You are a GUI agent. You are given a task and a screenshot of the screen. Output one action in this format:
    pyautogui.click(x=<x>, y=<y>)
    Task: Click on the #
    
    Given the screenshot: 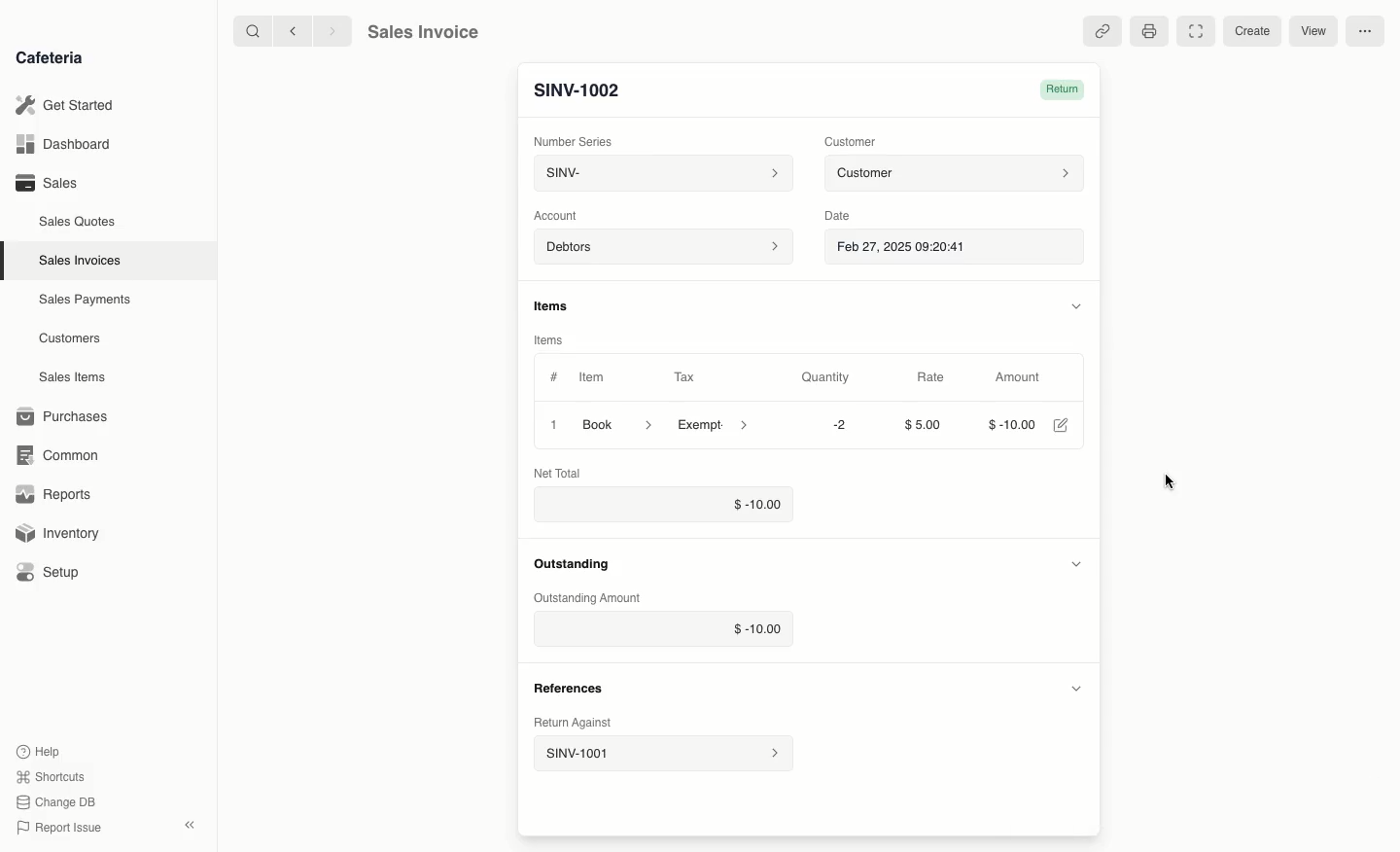 What is the action you would take?
    pyautogui.click(x=554, y=375)
    